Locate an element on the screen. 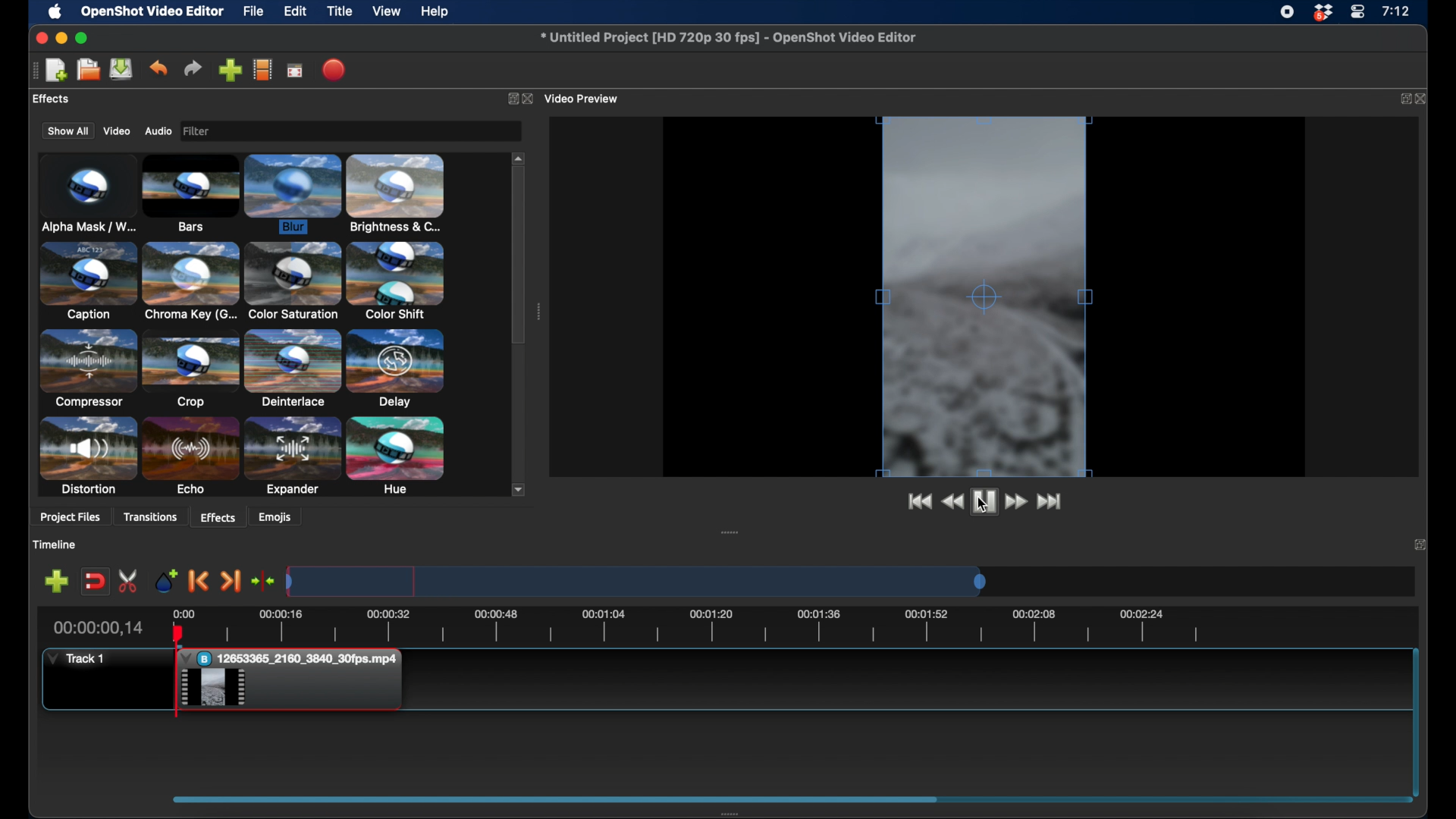 Image resolution: width=1456 pixels, height=819 pixels. distortion is located at coordinates (86, 456).